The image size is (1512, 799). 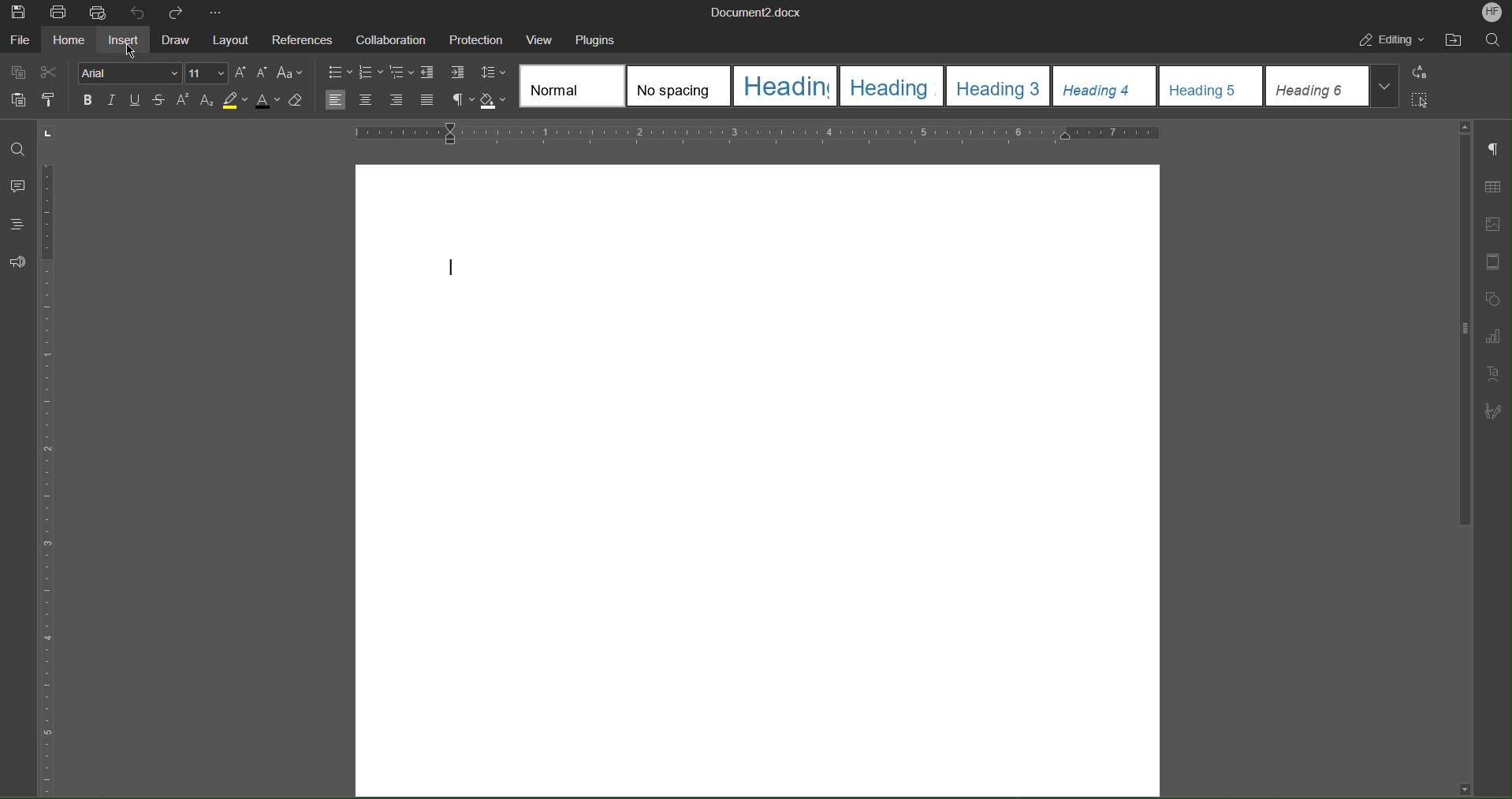 What do you see at coordinates (1493, 150) in the screenshot?
I see `Paragraph Settings` at bounding box center [1493, 150].